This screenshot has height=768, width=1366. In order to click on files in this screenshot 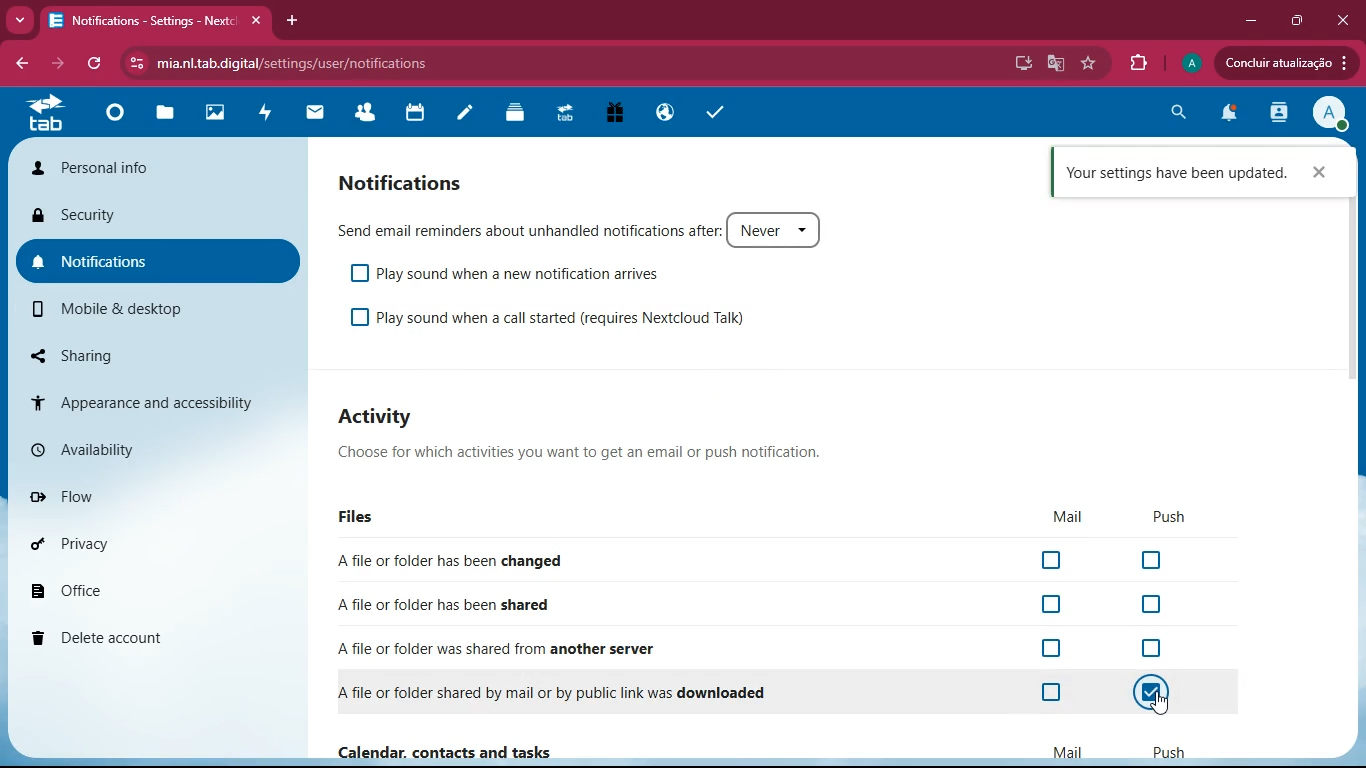, I will do `click(163, 115)`.